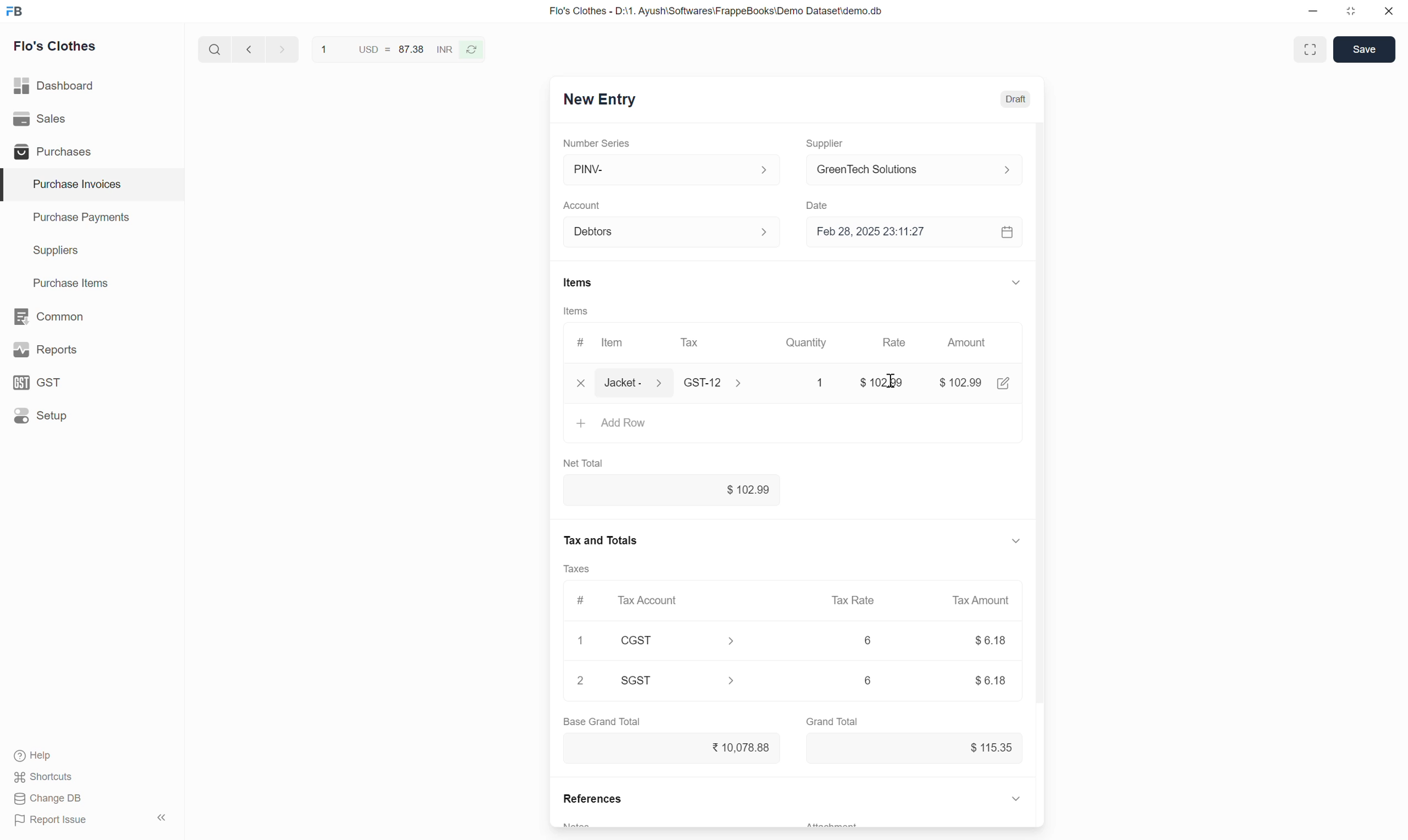  Describe the element at coordinates (1009, 232) in the screenshot. I see `calendar icon` at that location.